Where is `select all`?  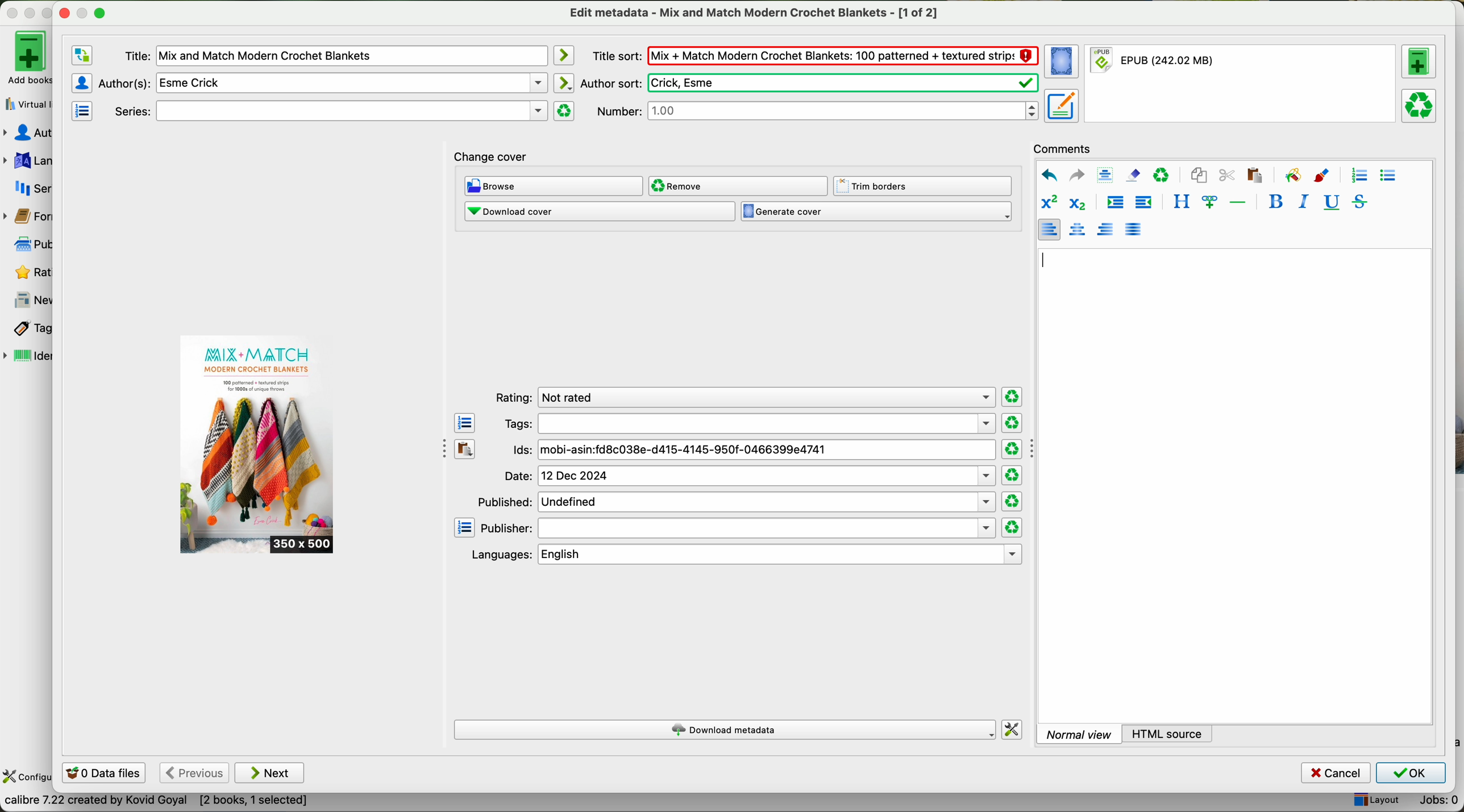 select all is located at coordinates (1105, 176).